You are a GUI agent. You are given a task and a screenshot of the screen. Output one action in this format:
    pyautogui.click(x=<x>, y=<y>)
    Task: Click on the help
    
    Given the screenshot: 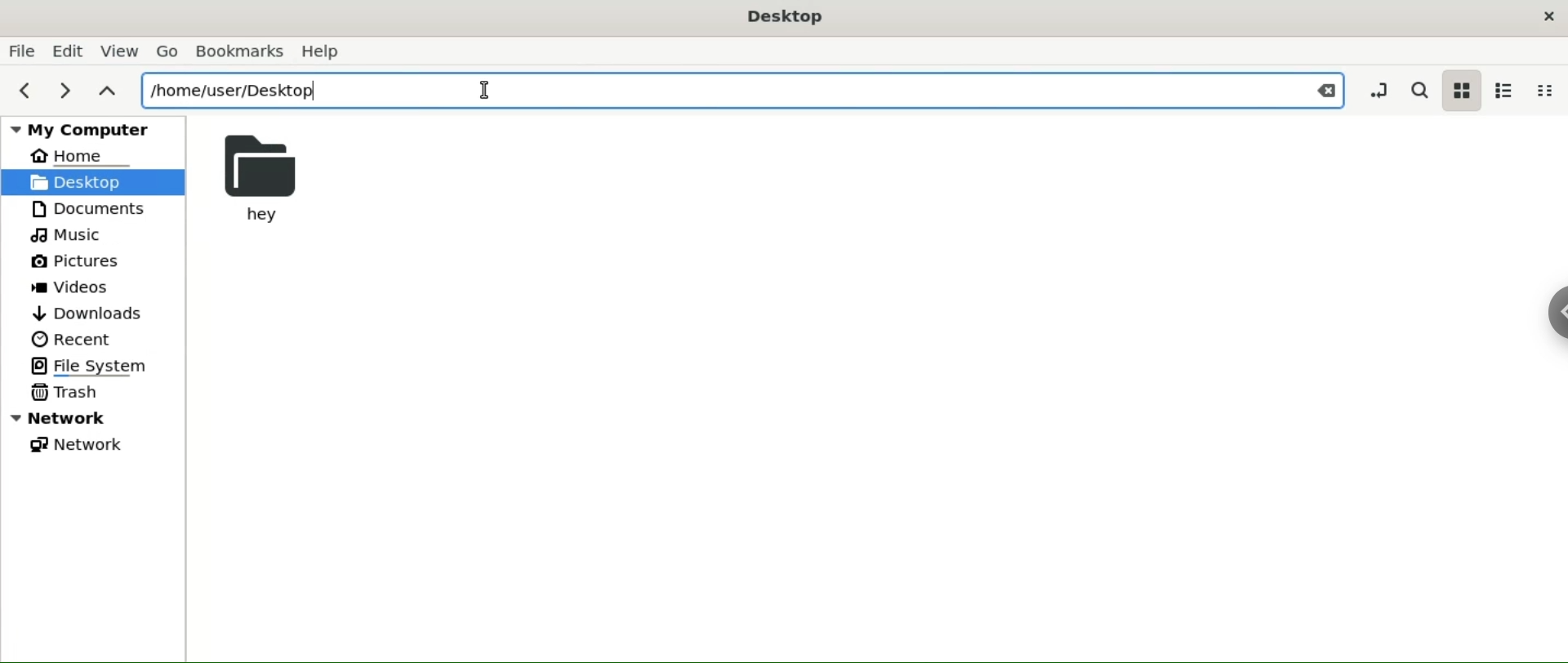 What is the action you would take?
    pyautogui.click(x=320, y=51)
    